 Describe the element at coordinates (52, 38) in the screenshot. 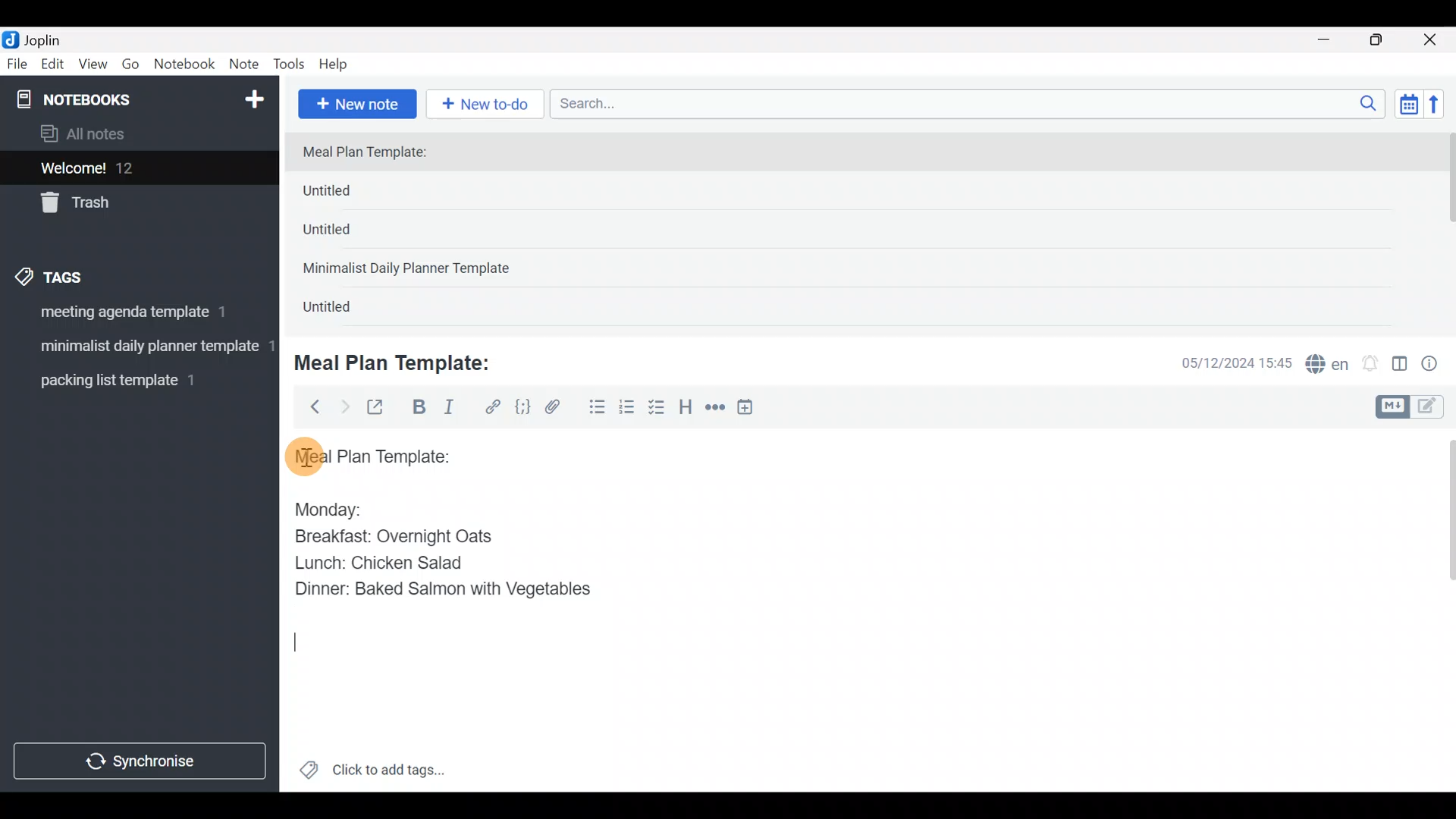

I see `Joplin` at that location.